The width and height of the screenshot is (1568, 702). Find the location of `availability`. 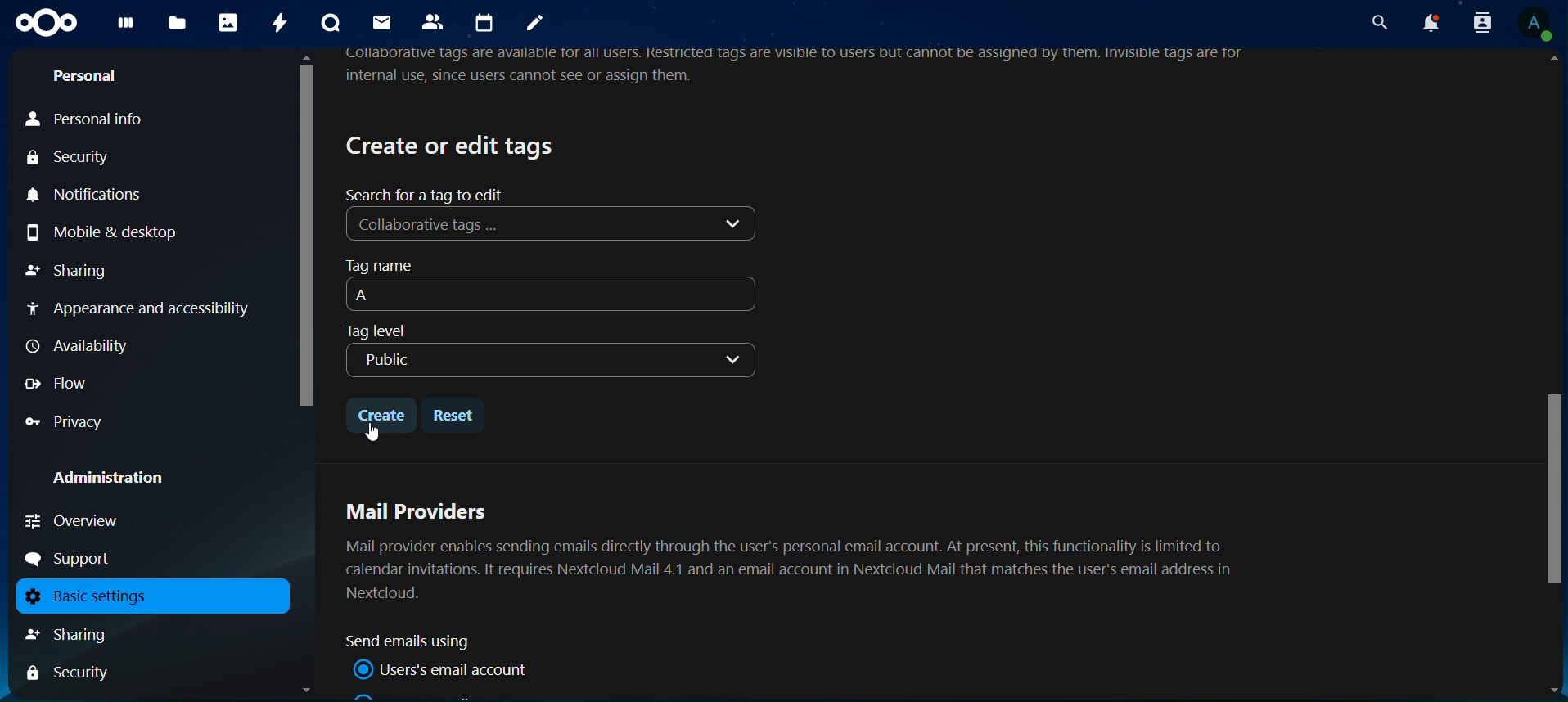

availability is located at coordinates (83, 346).